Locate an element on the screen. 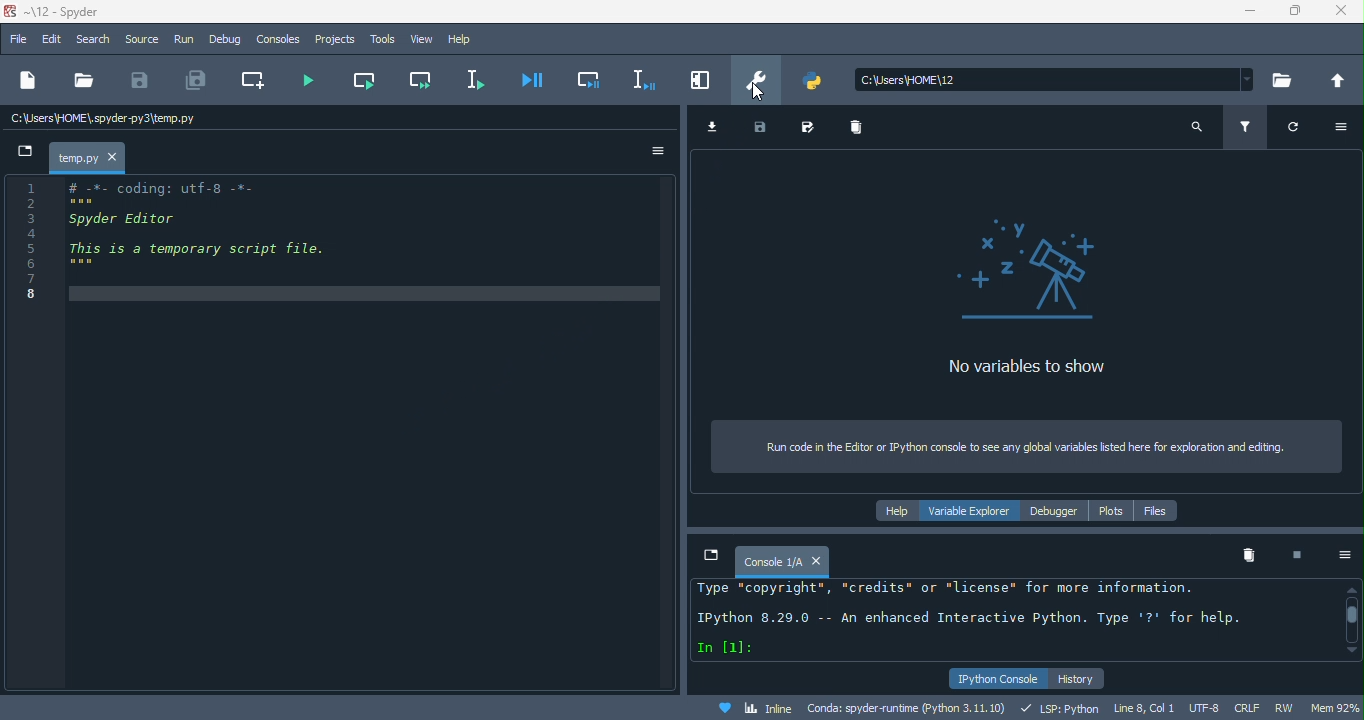 The width and height of the screenshot is (1364, 720). search is located at coordinates (1197, 125).